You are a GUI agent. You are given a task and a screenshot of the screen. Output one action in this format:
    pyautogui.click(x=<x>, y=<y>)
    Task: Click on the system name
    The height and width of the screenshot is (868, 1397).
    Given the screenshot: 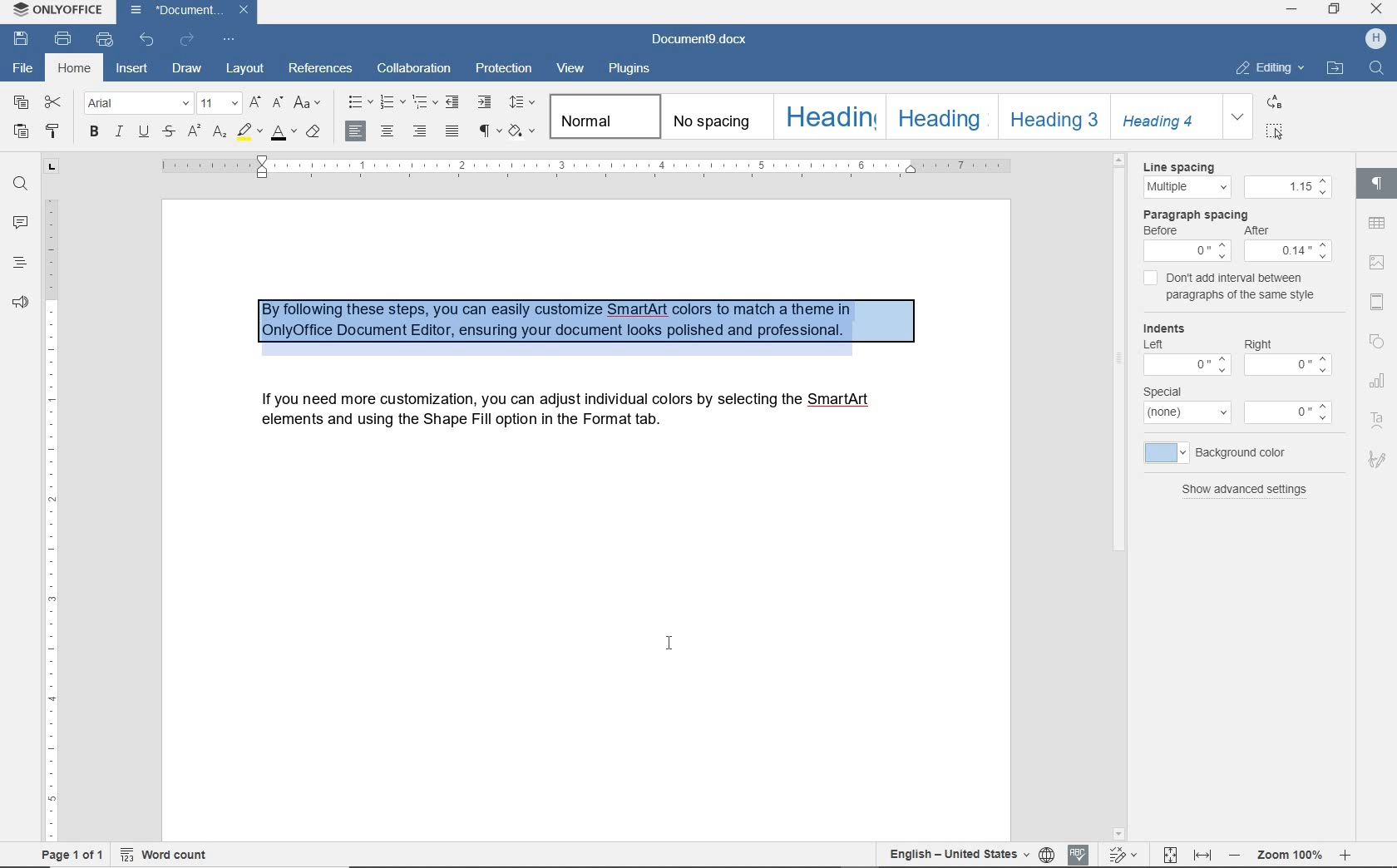 What is the action you would take?
    pyautogui.click(x=59, y=11)
    